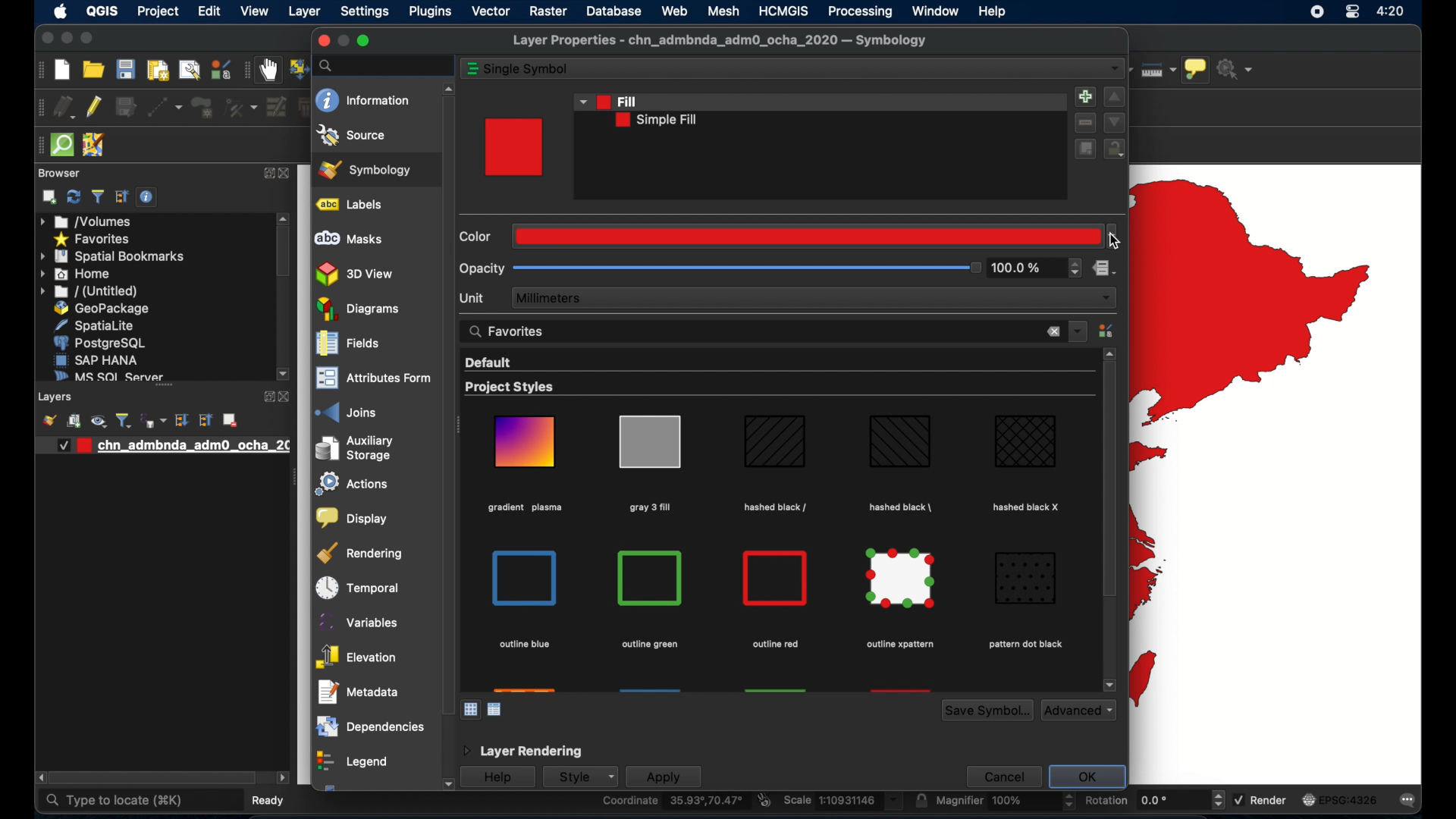  I want to click on web, so click(674, 11).